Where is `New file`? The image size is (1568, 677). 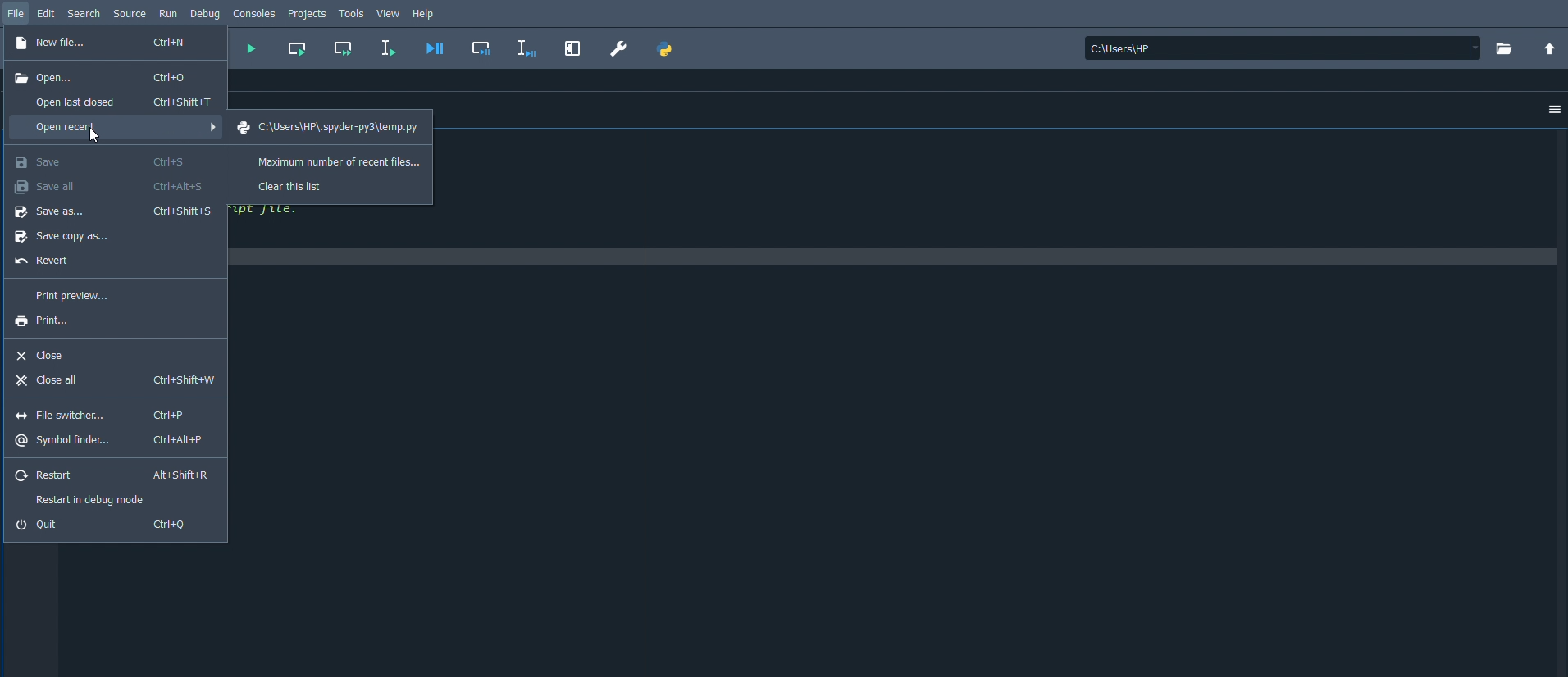
New file is located at coordinates (105, 44).